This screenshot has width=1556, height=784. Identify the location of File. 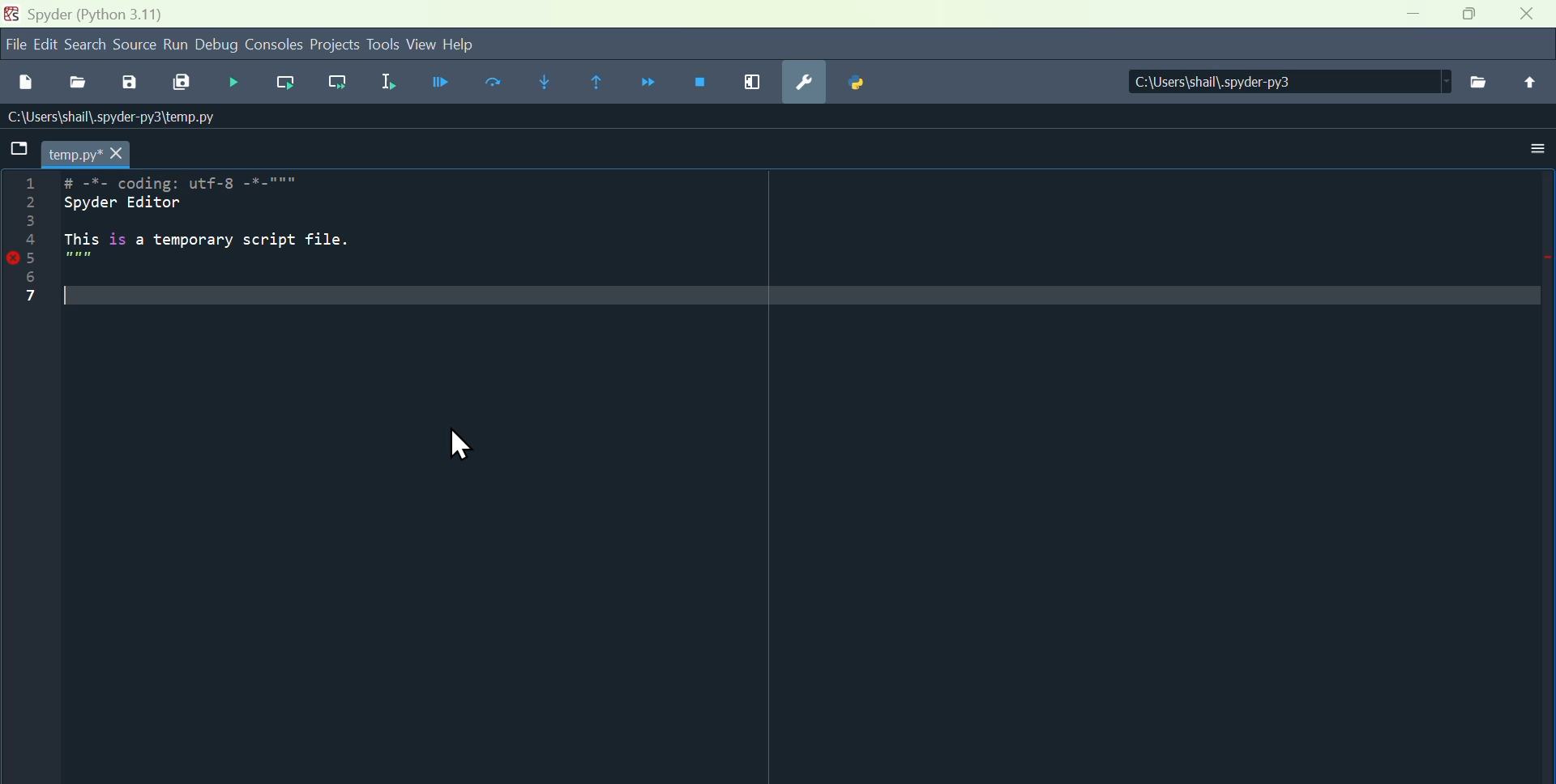
(1484, 83).